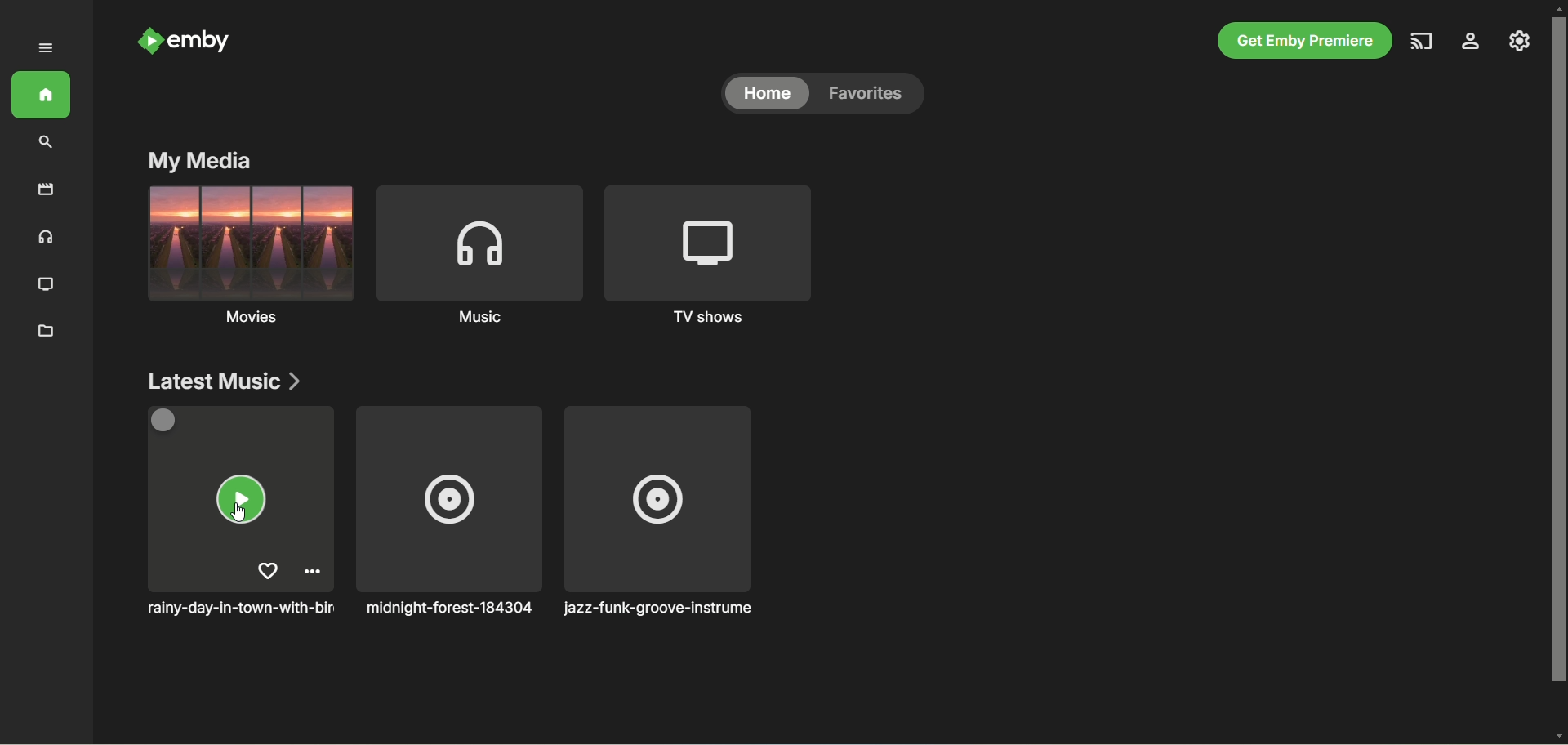  I want to click on music, so click(47, 238).